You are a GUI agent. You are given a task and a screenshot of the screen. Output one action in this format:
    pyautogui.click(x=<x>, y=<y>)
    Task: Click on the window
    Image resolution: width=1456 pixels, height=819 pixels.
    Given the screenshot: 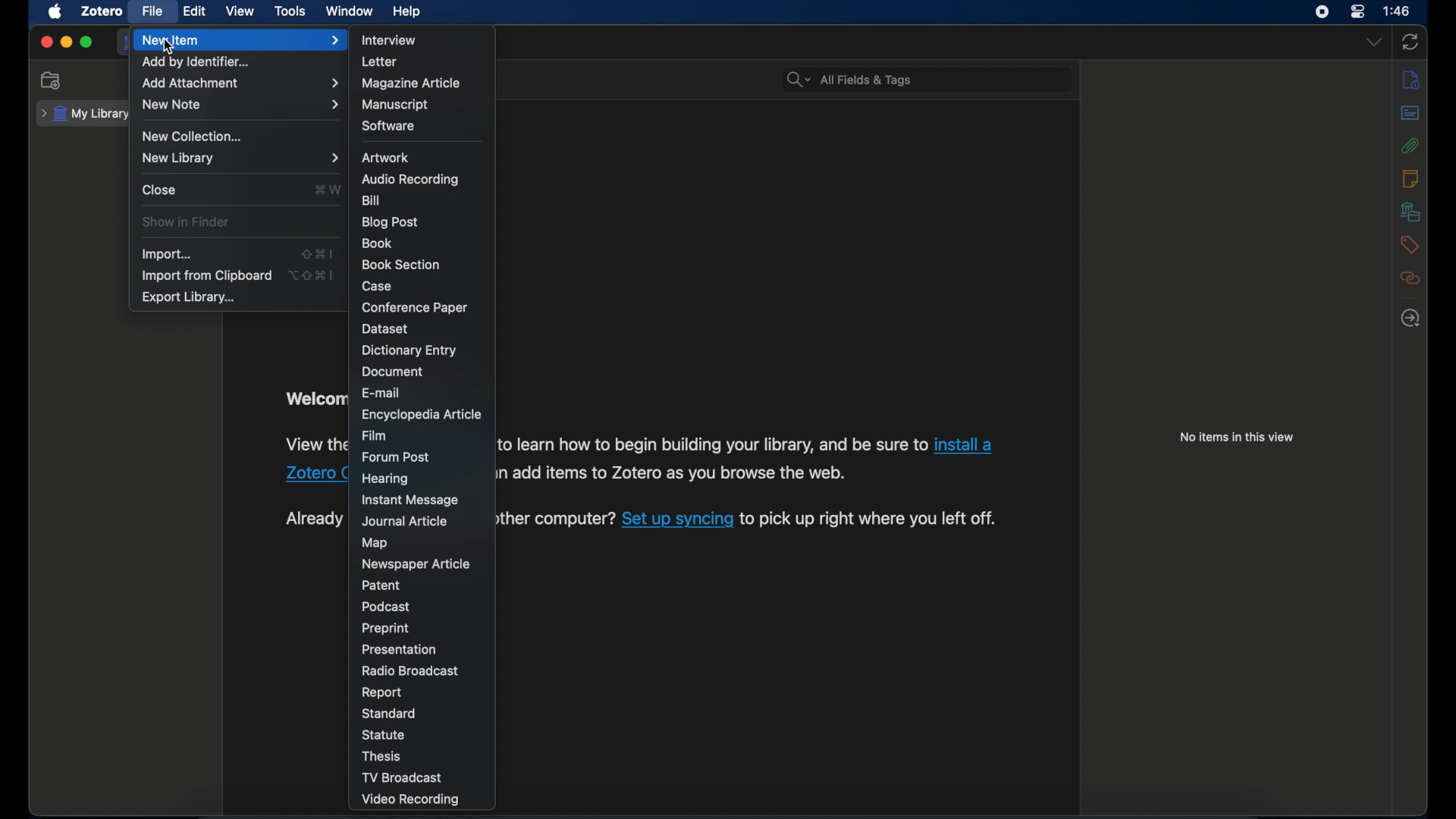 What is the action you would take?
    pyautogui.click(x=350, y=10)
    